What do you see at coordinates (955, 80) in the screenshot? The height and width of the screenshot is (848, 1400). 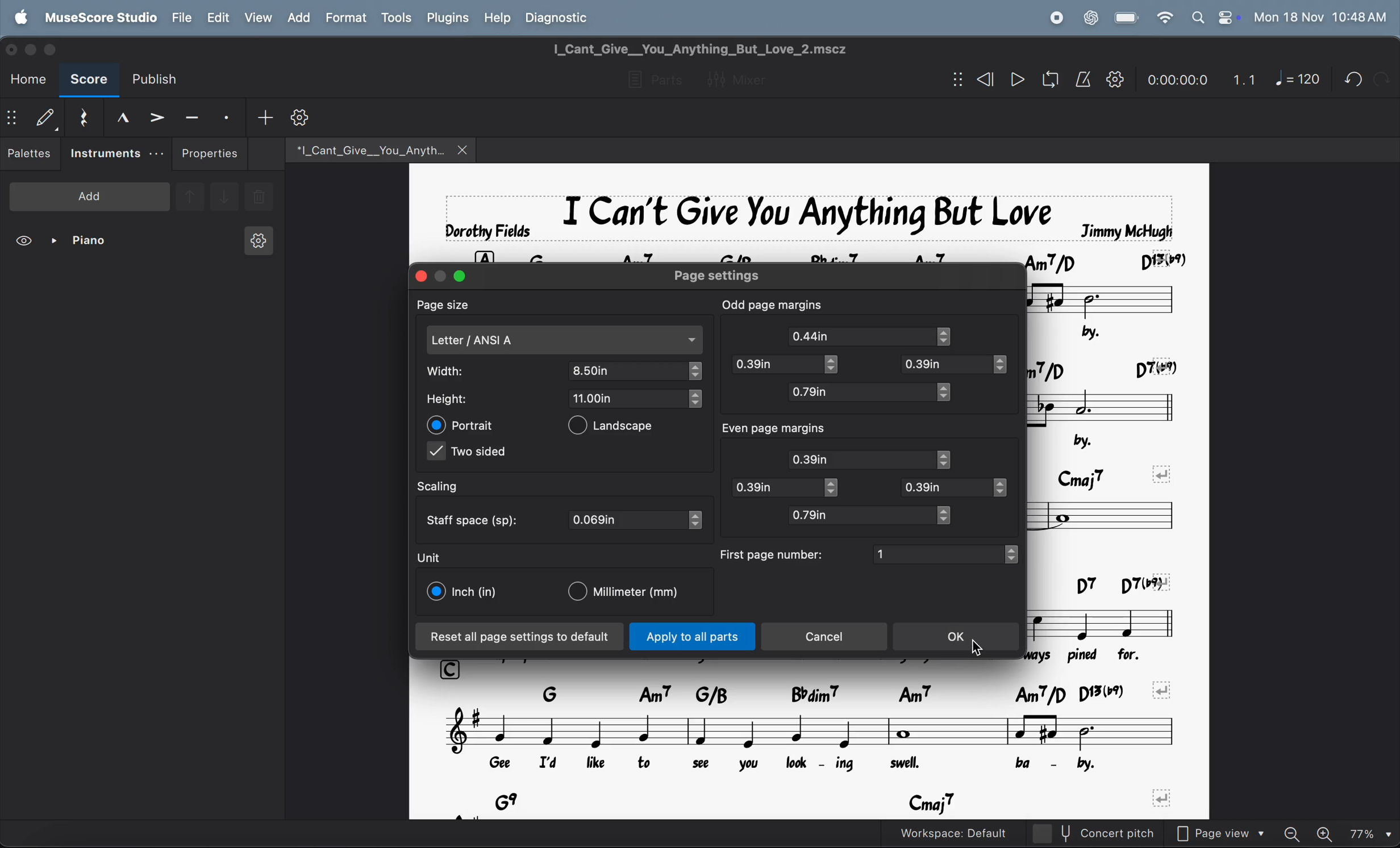 I see `show/hide` at bounding box center [955, 80].